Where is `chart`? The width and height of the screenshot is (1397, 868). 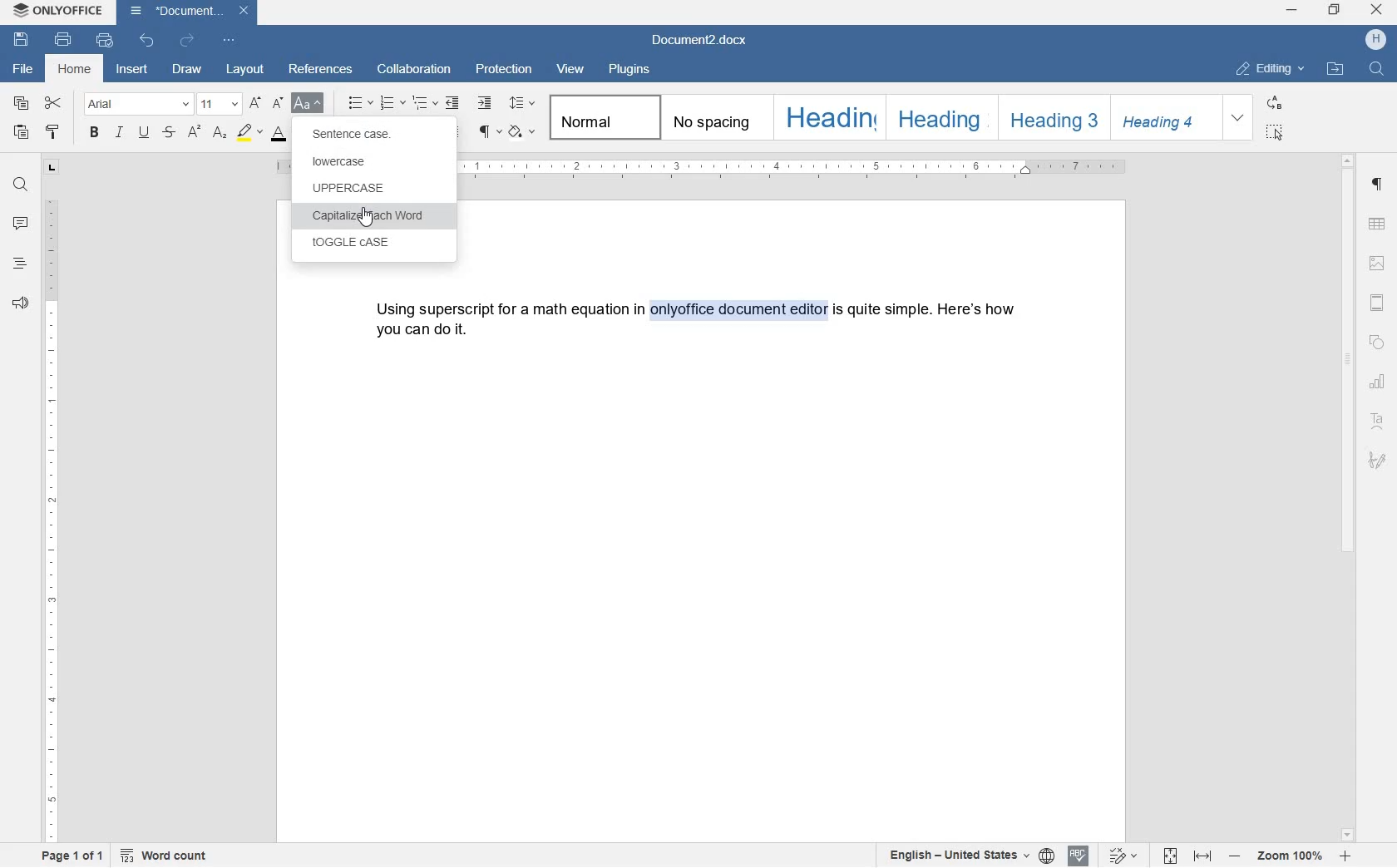 chart is located at coordinates (1379, 382).